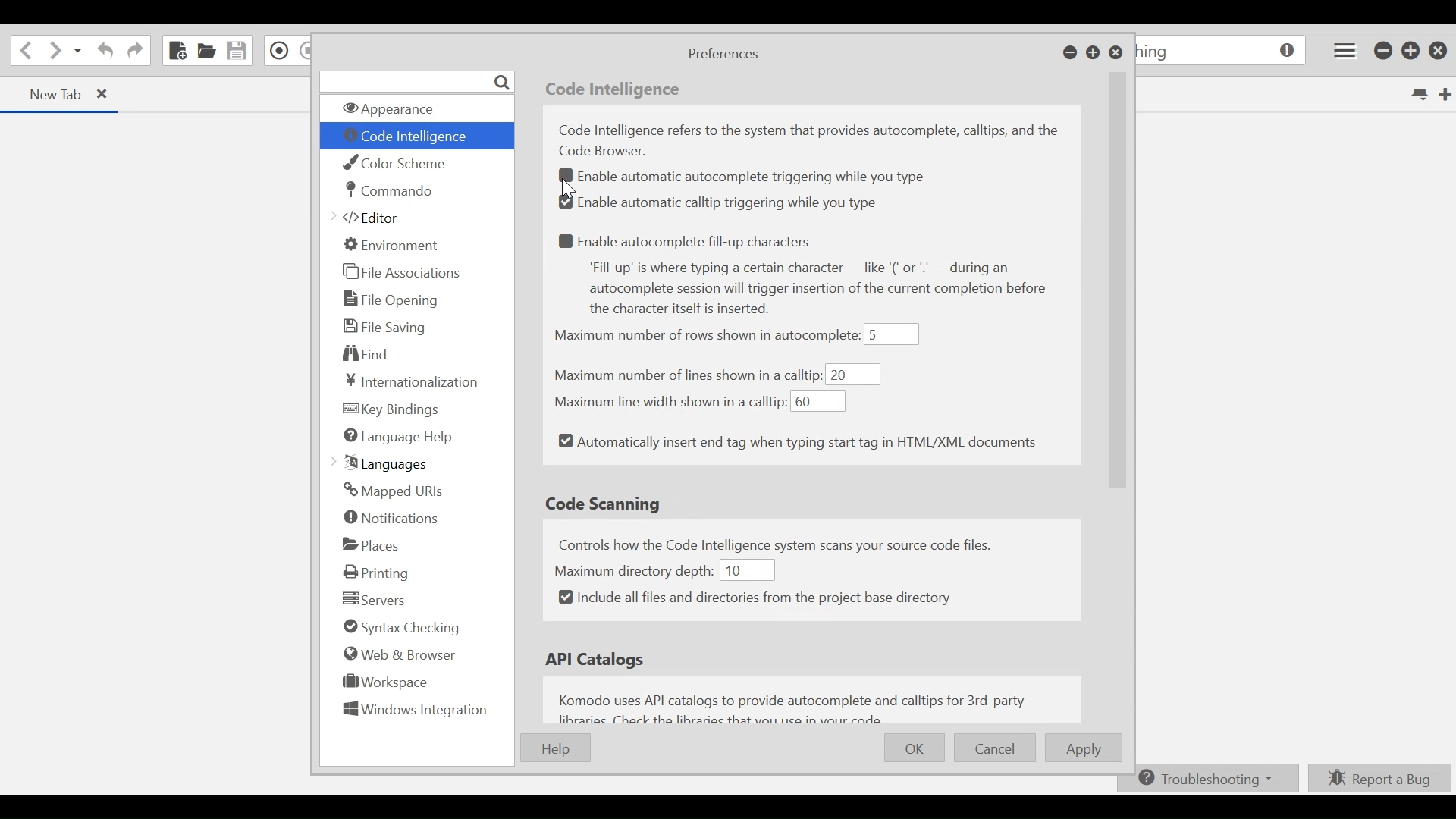 The image size is (1456, 819). Describe the element at coordinates (384, 463) in the screenshot. I see `Languages` at that location.